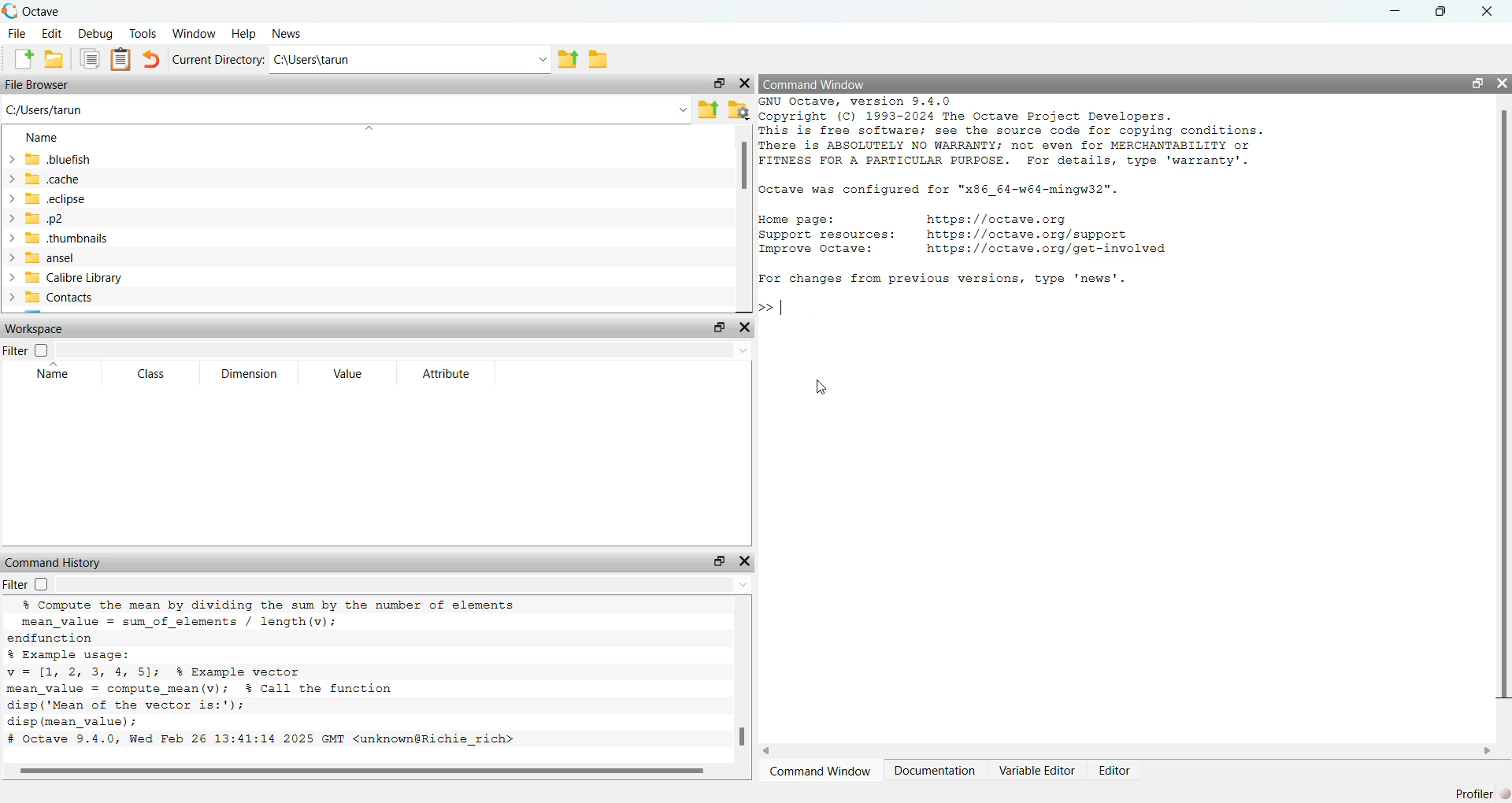  What do you see at coordinates (11, 11) in the screenshot?
I see `logo` at bounding box center [11, 11].